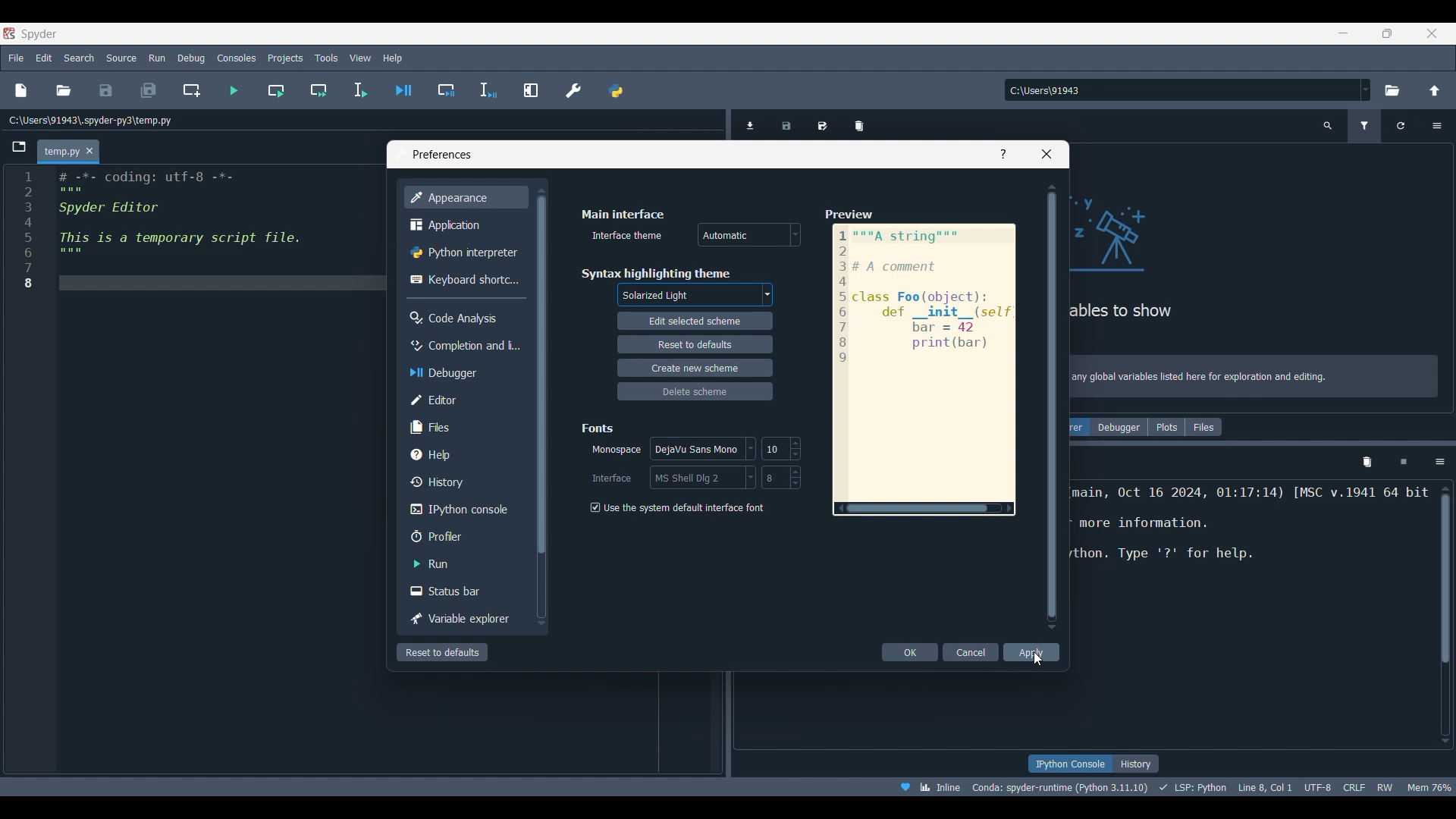 This screenshot has height=819, width=1456. I want to click on Completion and linting, so click(464, 346).